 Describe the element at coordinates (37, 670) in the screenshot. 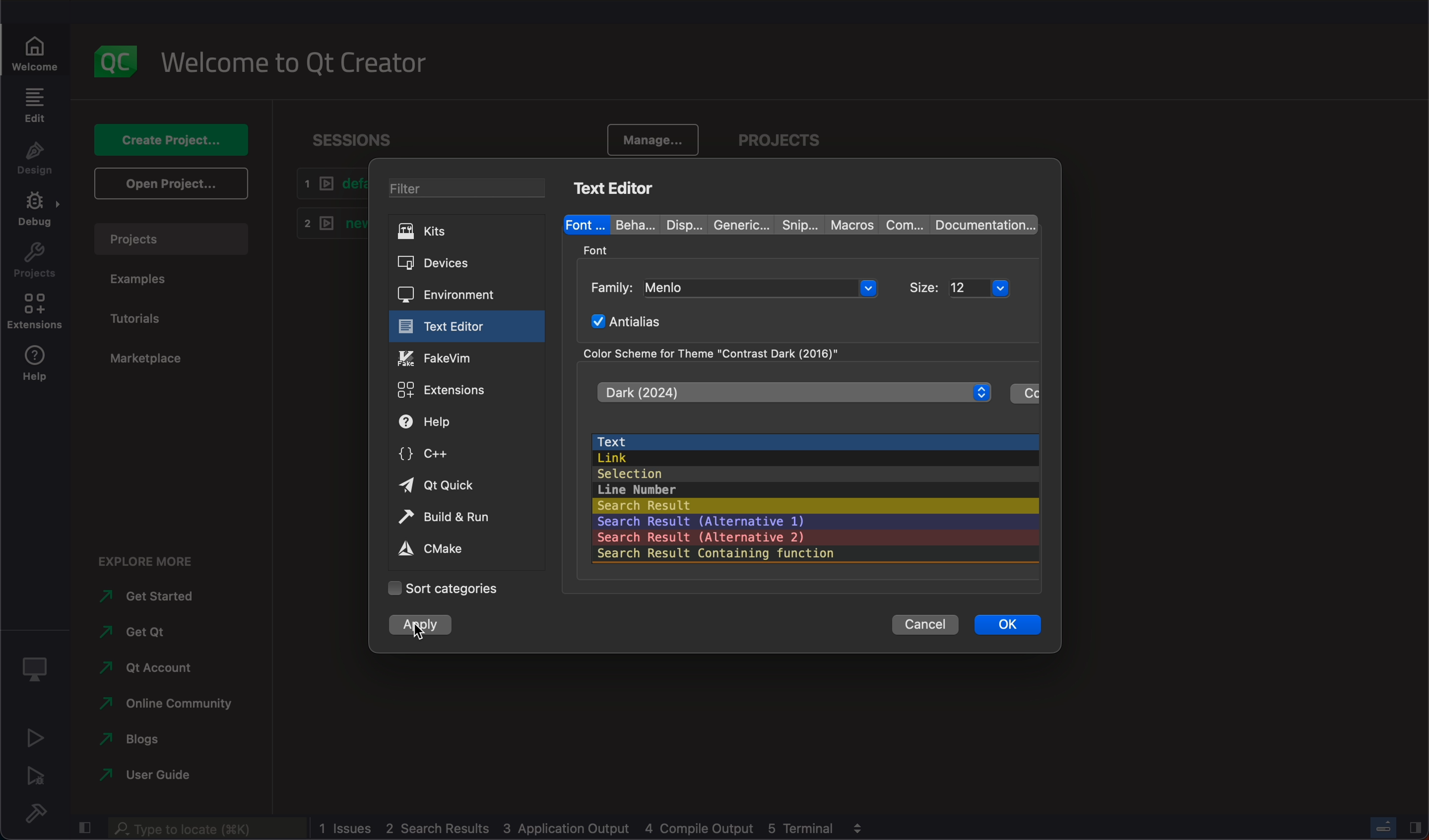

I see `debug` at that location.